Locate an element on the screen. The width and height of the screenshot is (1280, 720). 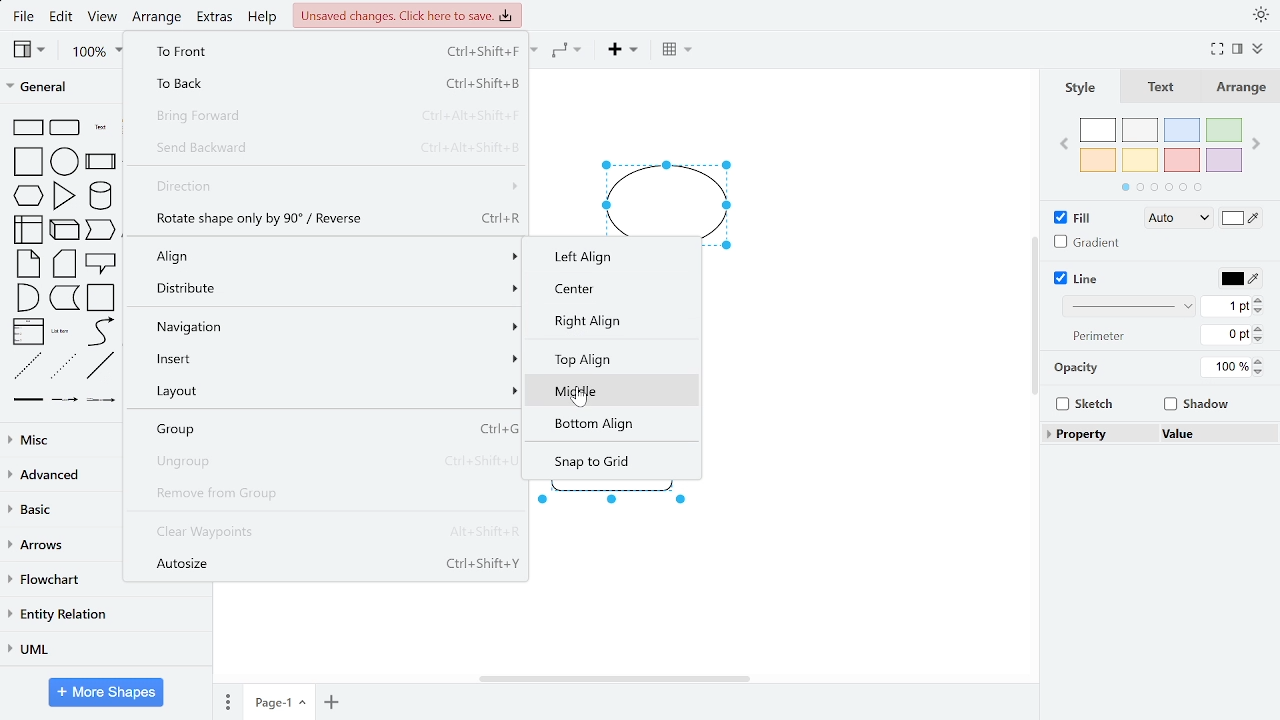
general is located at coordinates (62, 88).